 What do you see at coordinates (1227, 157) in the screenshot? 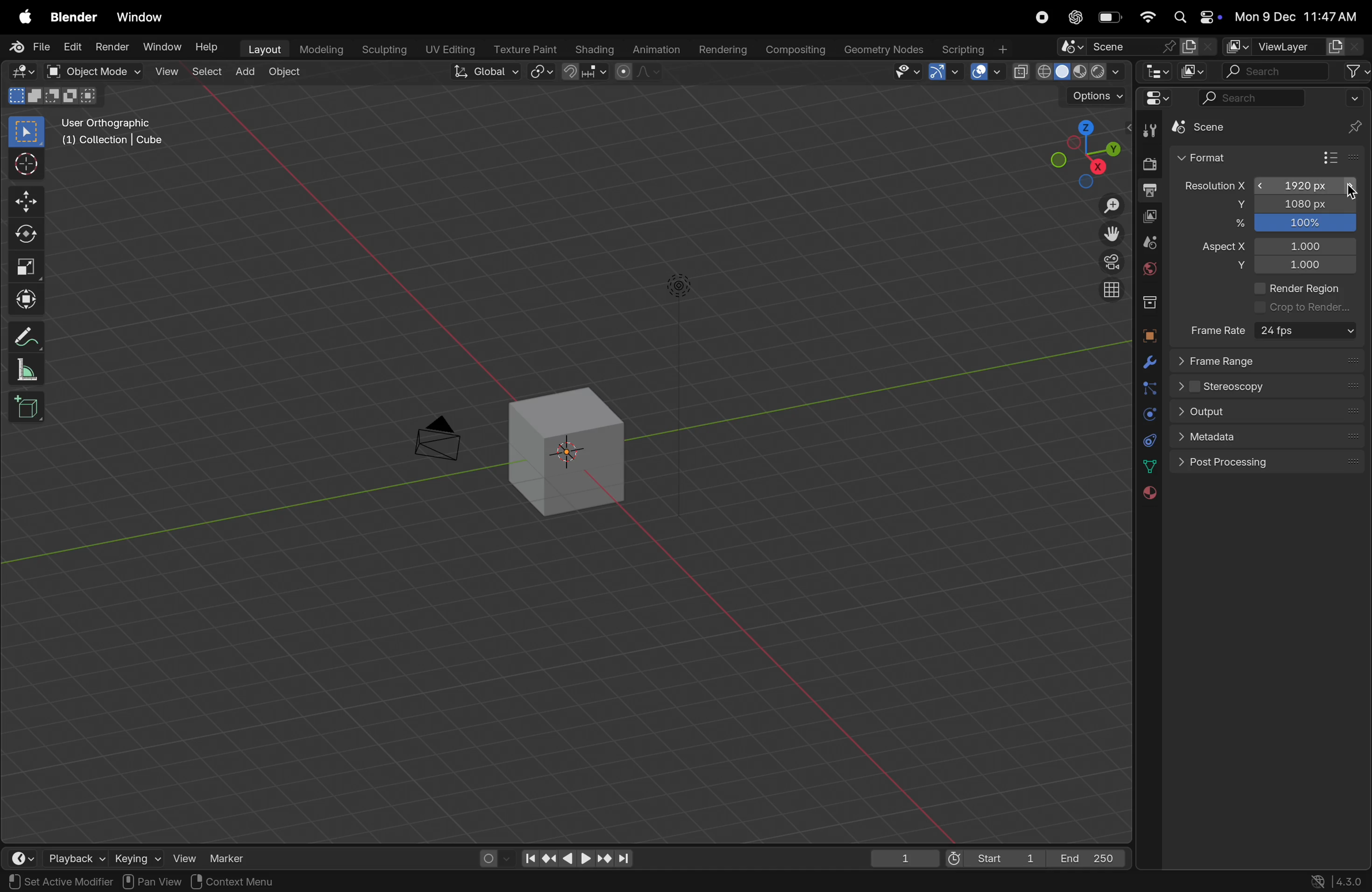
I see `Format` at bounding box center [1227, 157].